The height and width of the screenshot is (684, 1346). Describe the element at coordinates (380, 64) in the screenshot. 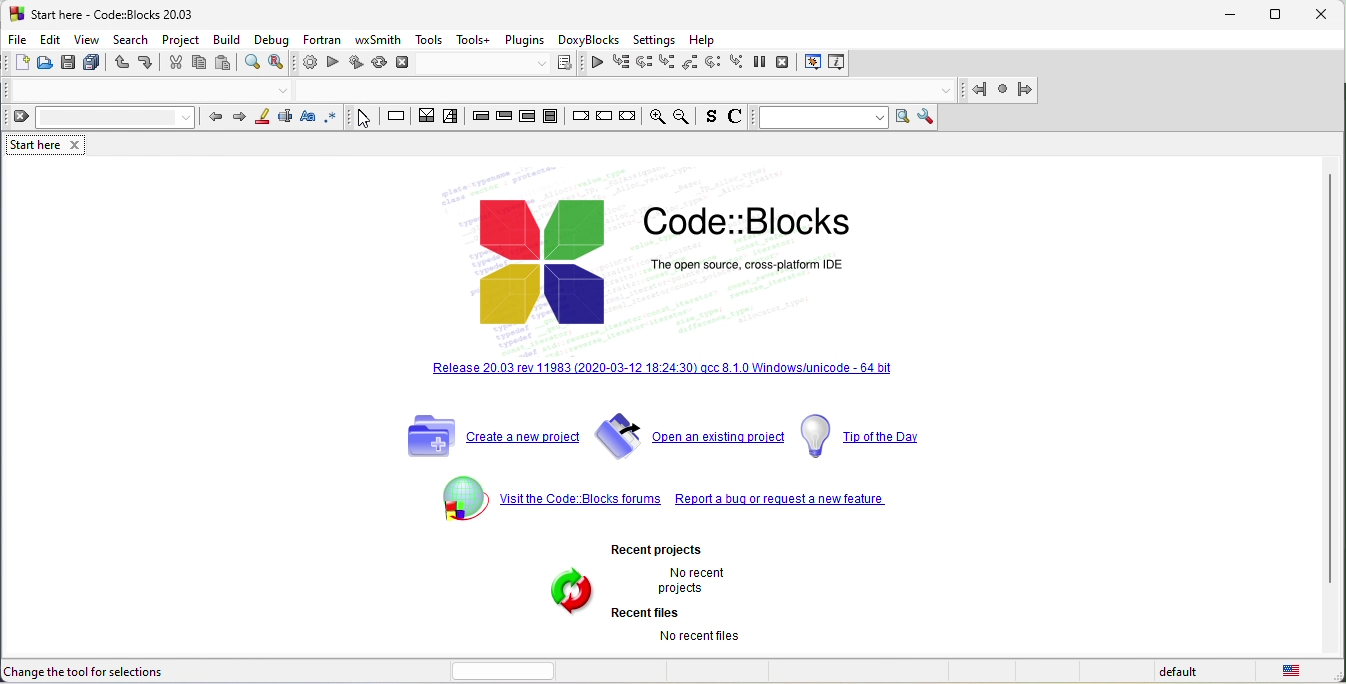

I see `rebuild` at that location.